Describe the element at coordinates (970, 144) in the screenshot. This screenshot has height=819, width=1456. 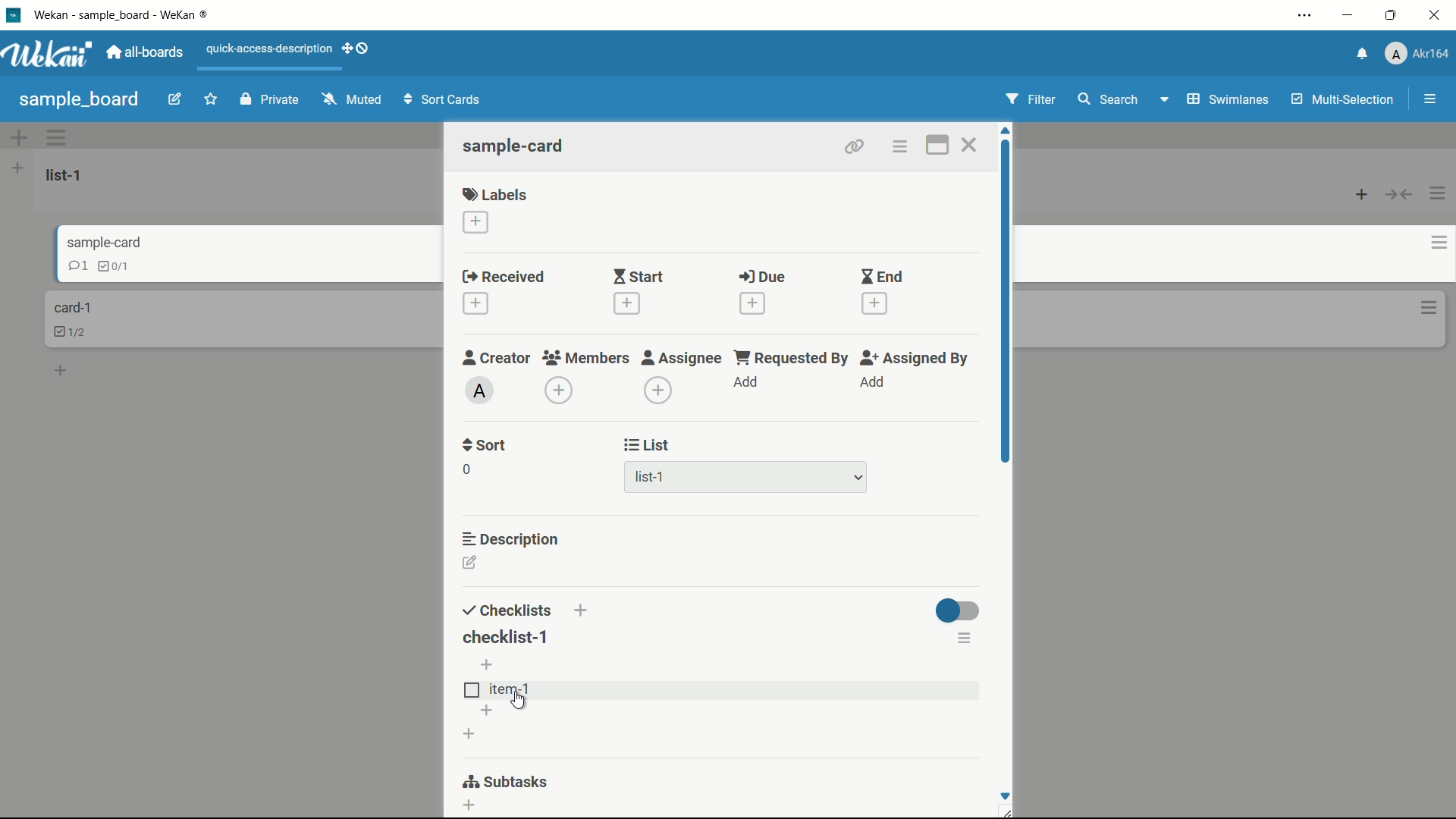
I see `close card` at that location.